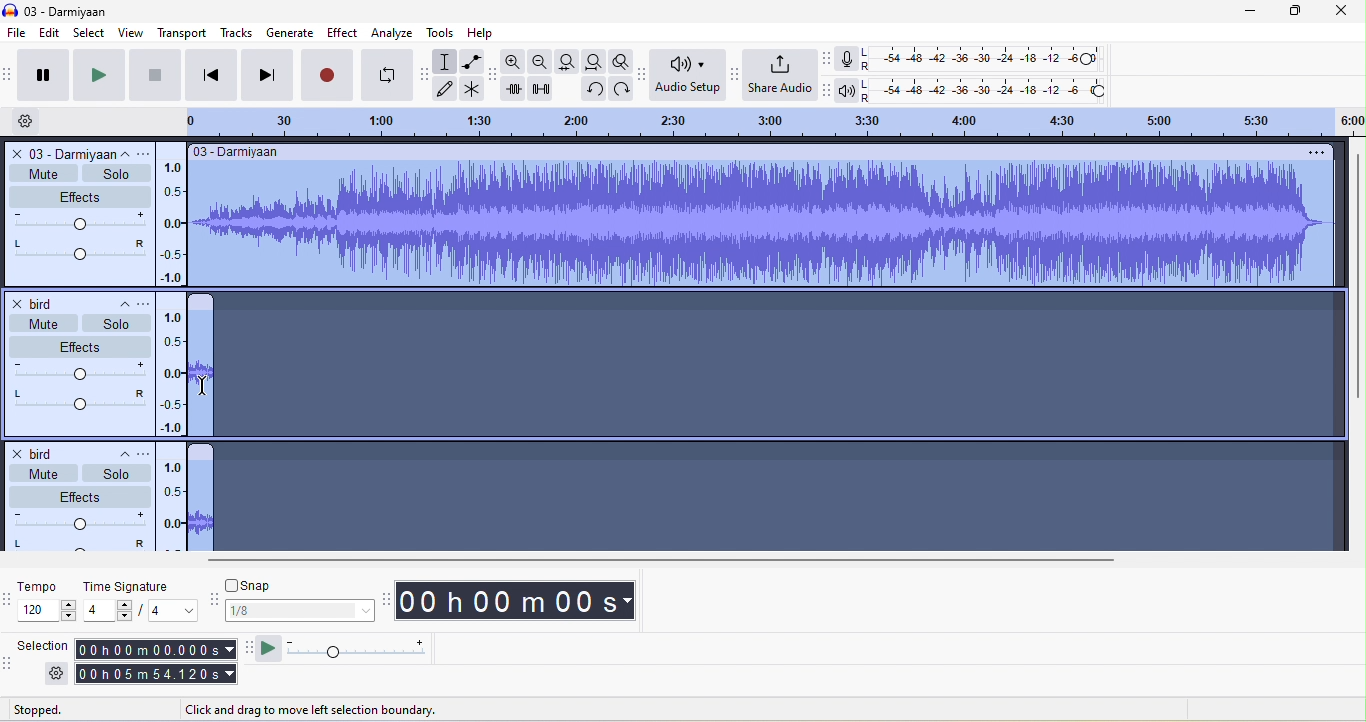  Describe the element at coordinates (269, 73) in the screenshot. I see `skip to end` at that location.